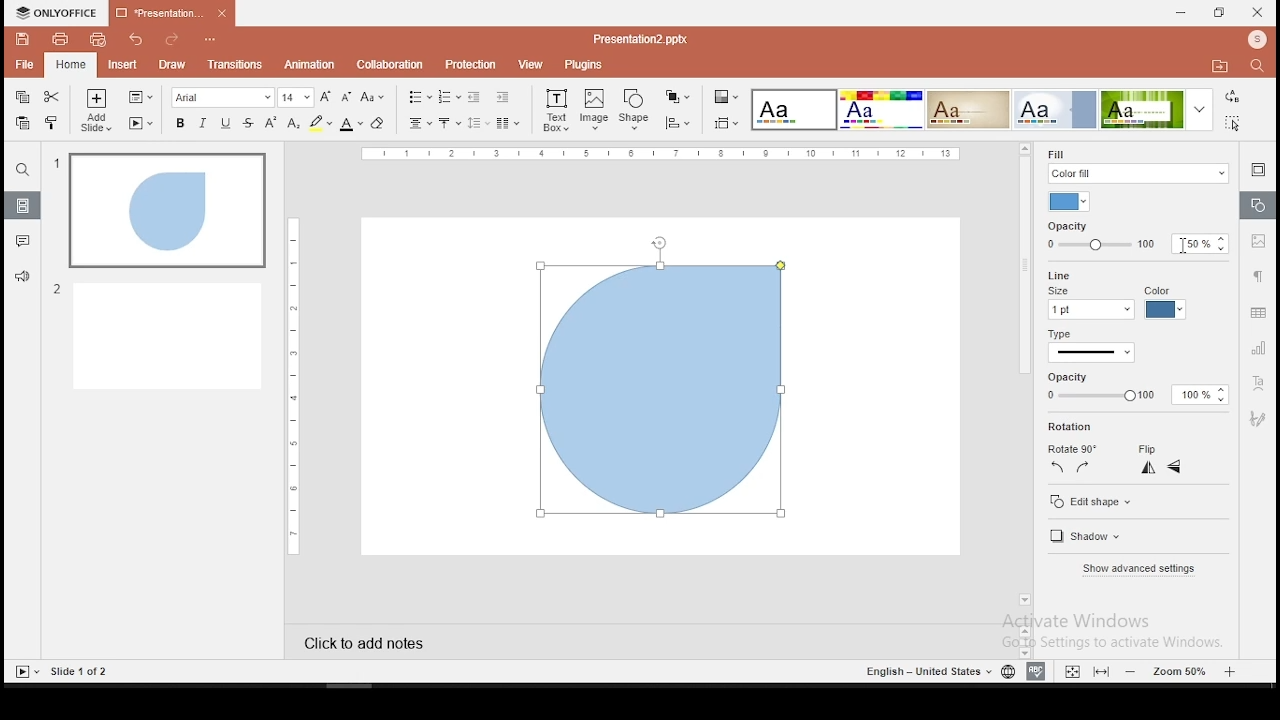  I want to click on draw, so click(172, 65).